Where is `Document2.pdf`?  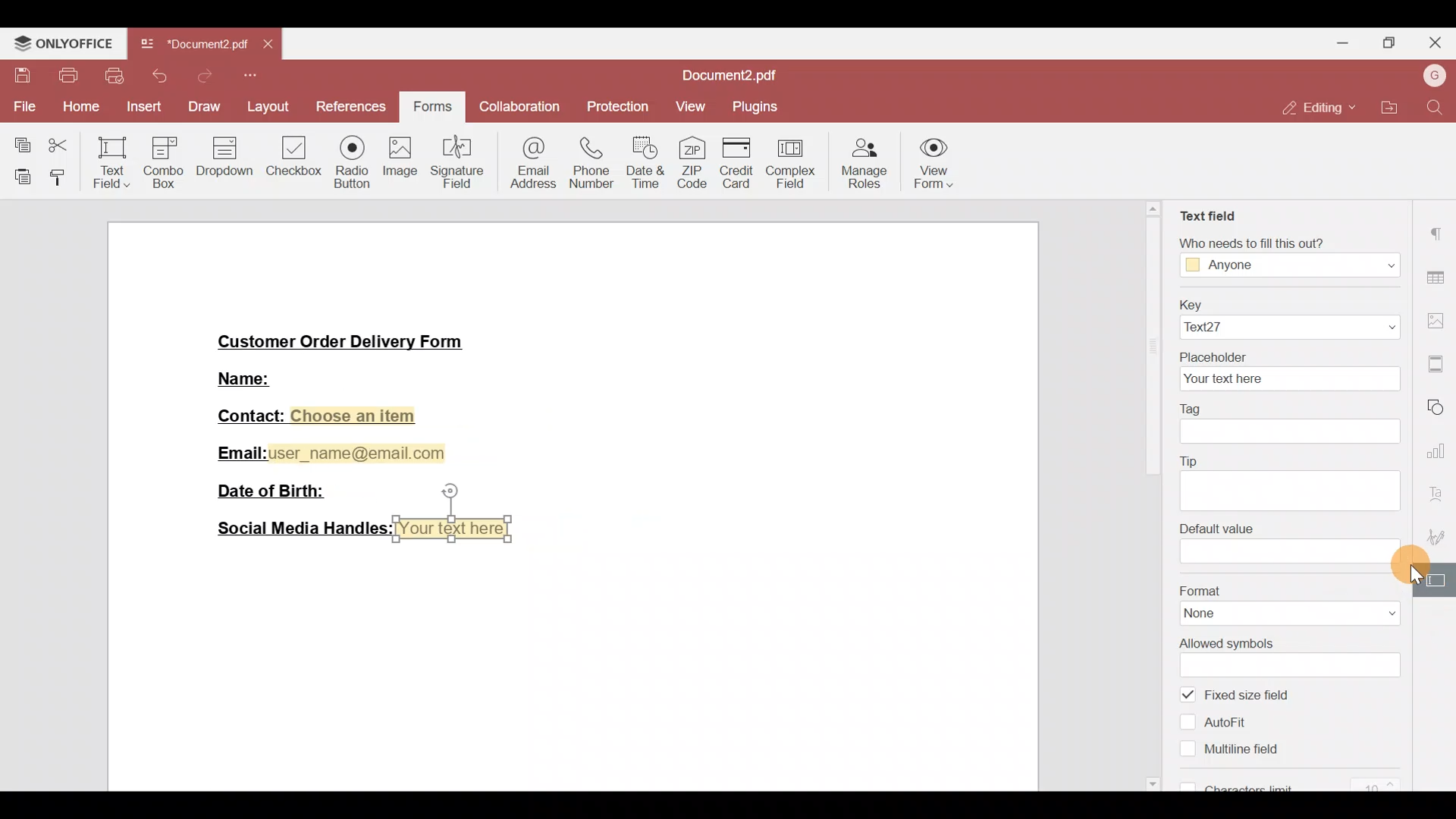 Document2.pdf is located at coordinates (736, 76).